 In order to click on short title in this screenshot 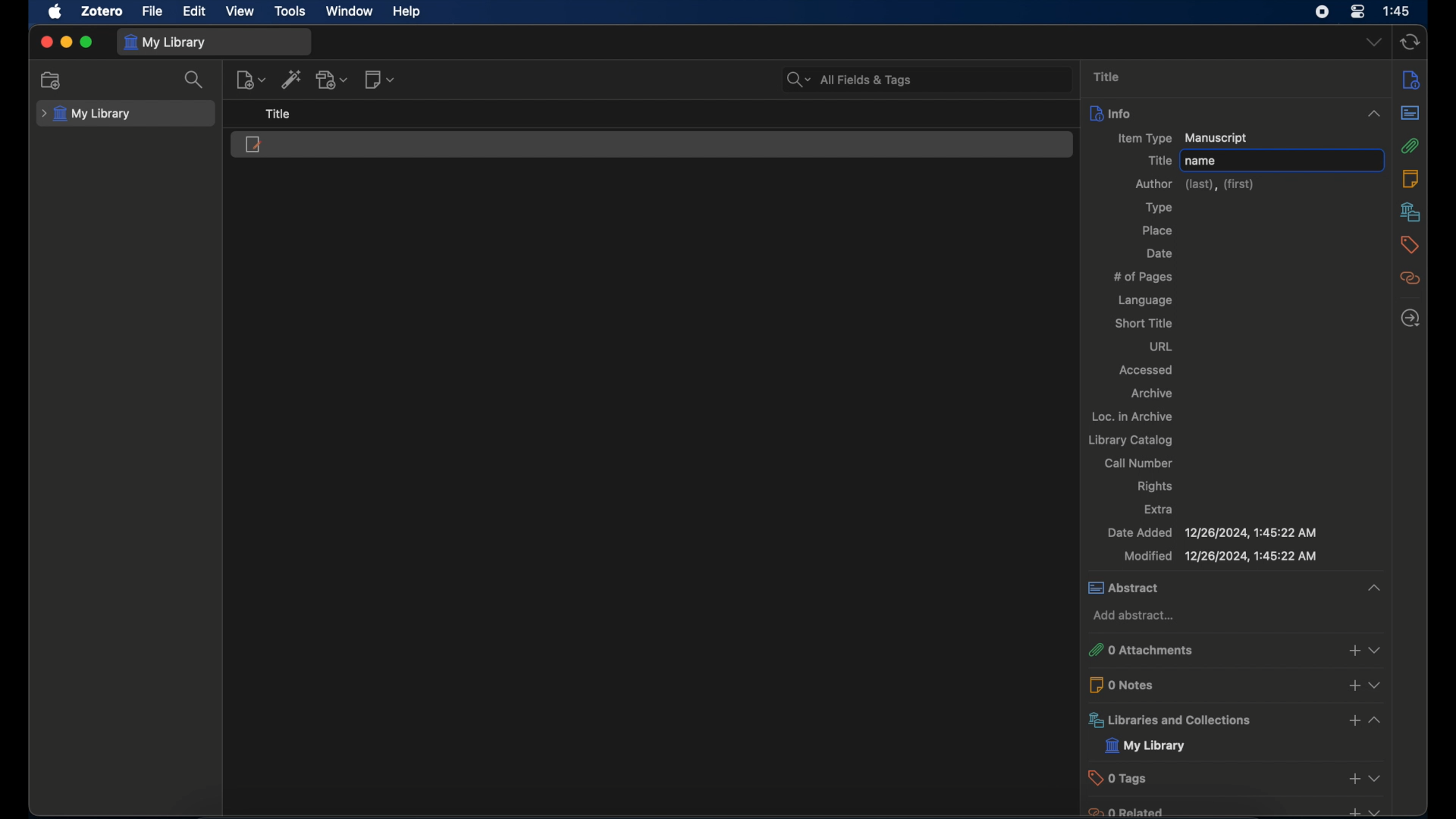, I will do `click(1143, 322)`.